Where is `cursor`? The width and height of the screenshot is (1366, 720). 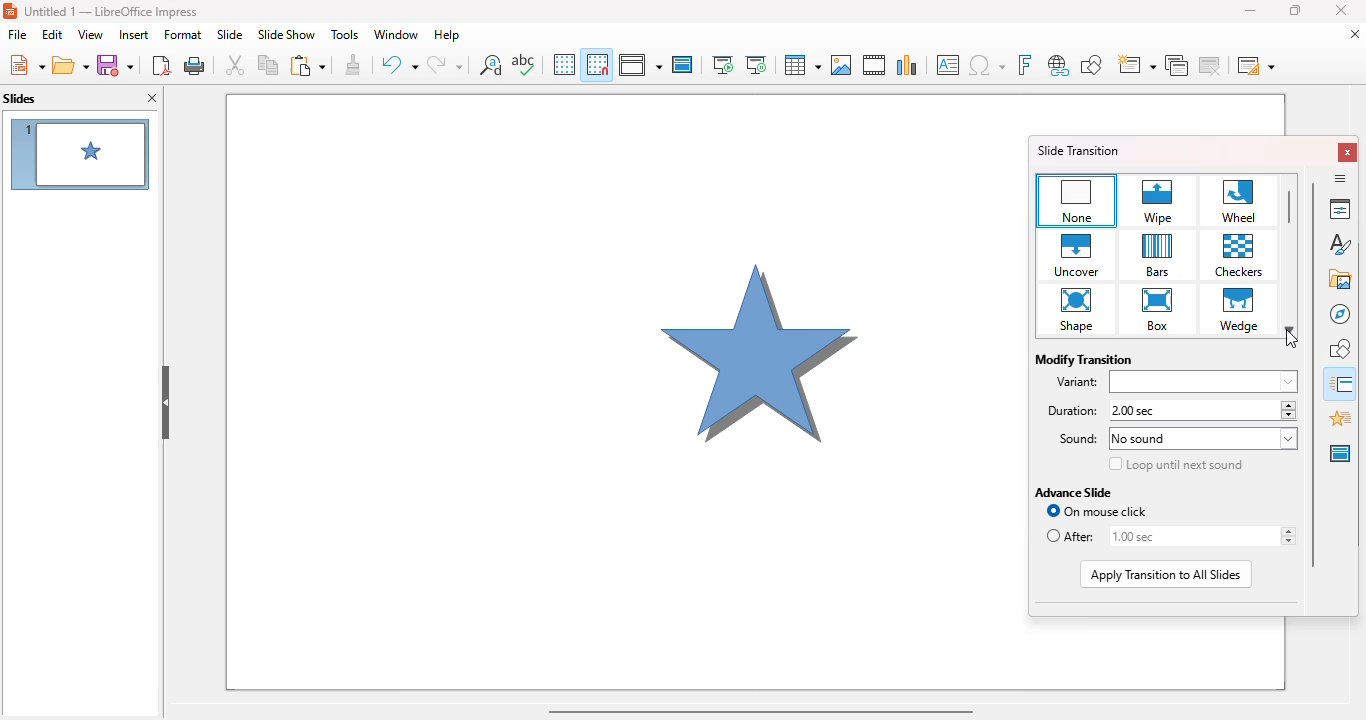
cursor is located at coordinates (1293, 340).